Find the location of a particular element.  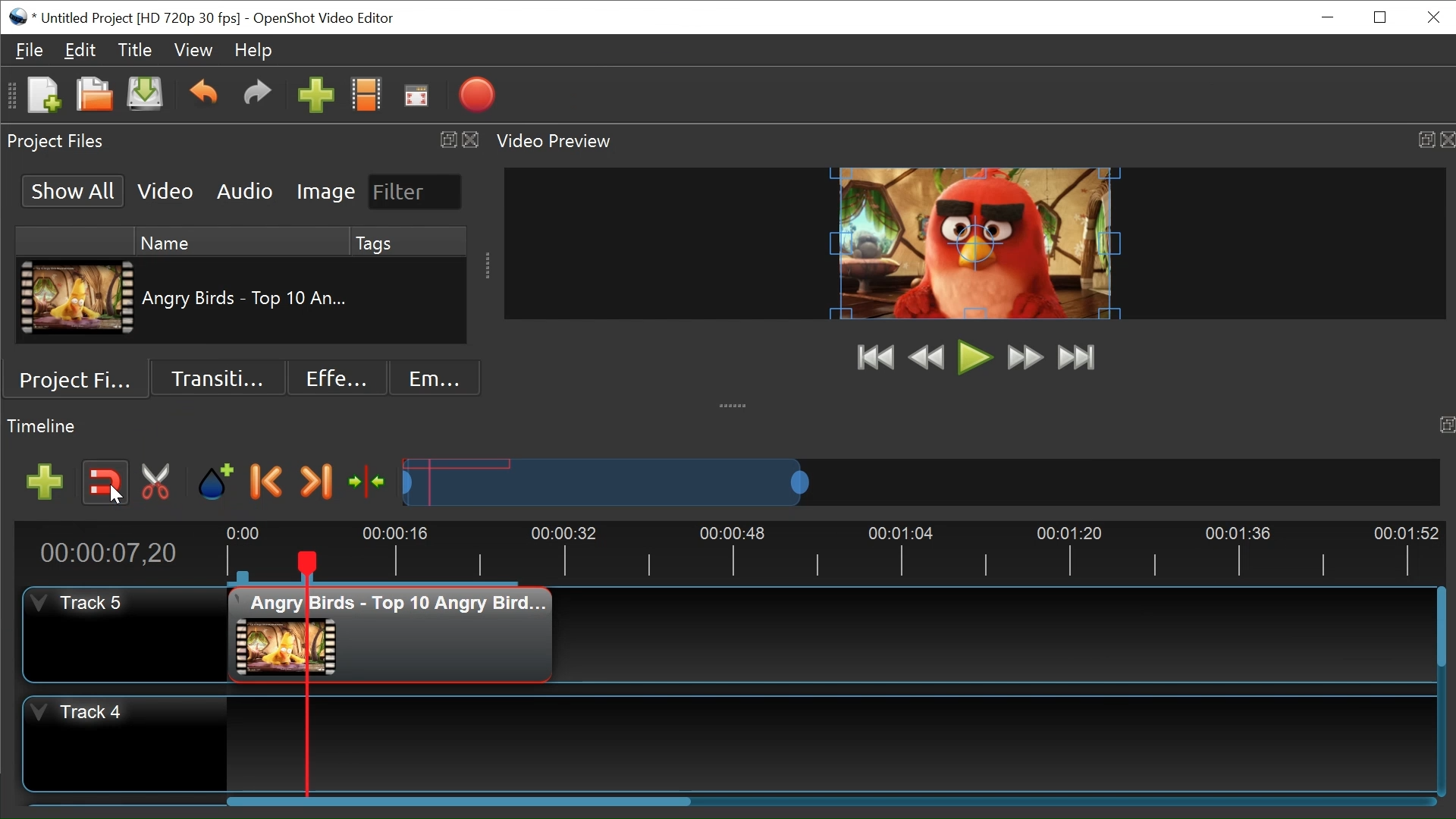

Restore is located at coordinates (1378, 17).